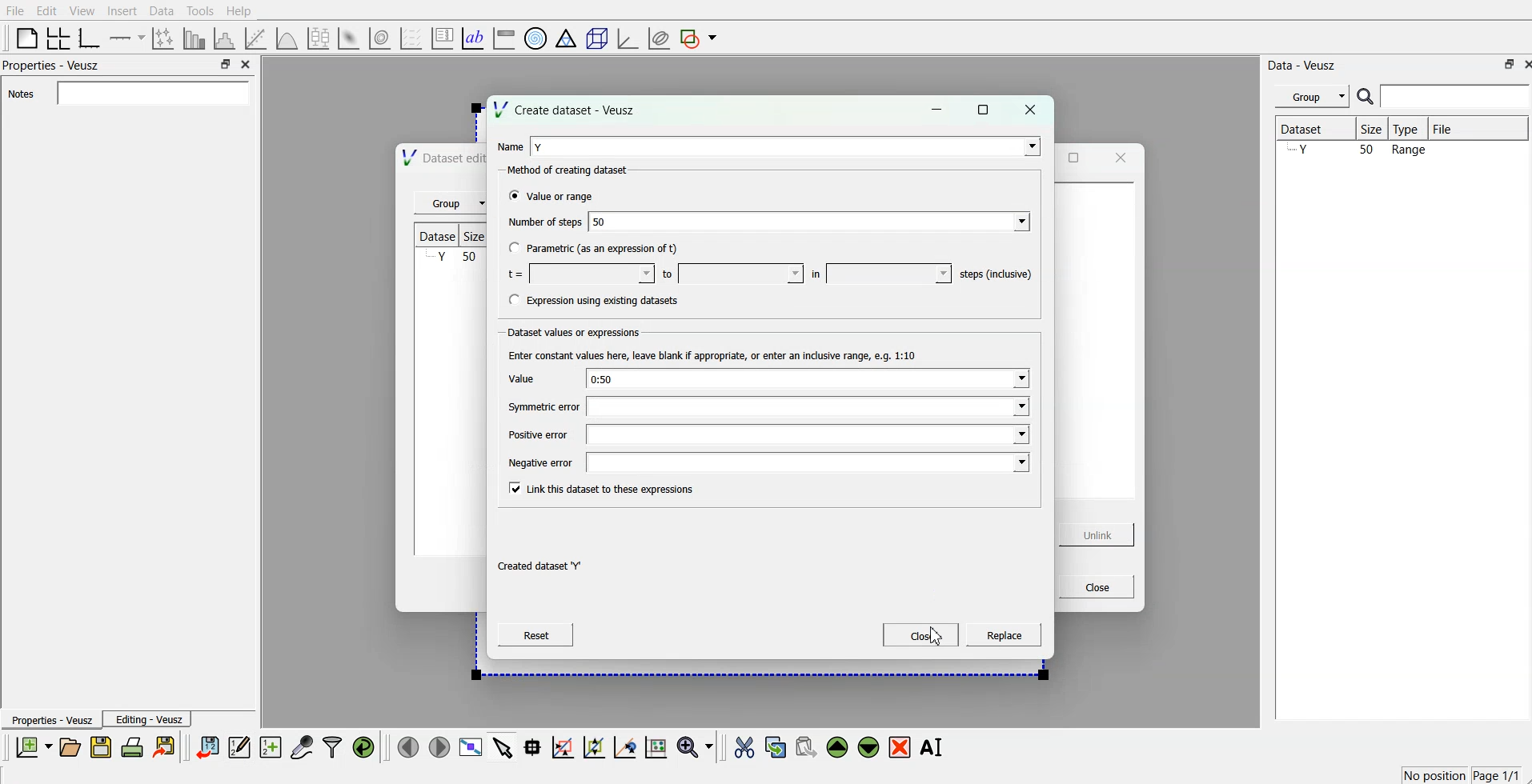 The image size is (1532, 784). Describe the element at coordinates (542, 568) in the screenshot. I see `Created dataset "Y'` at that location.